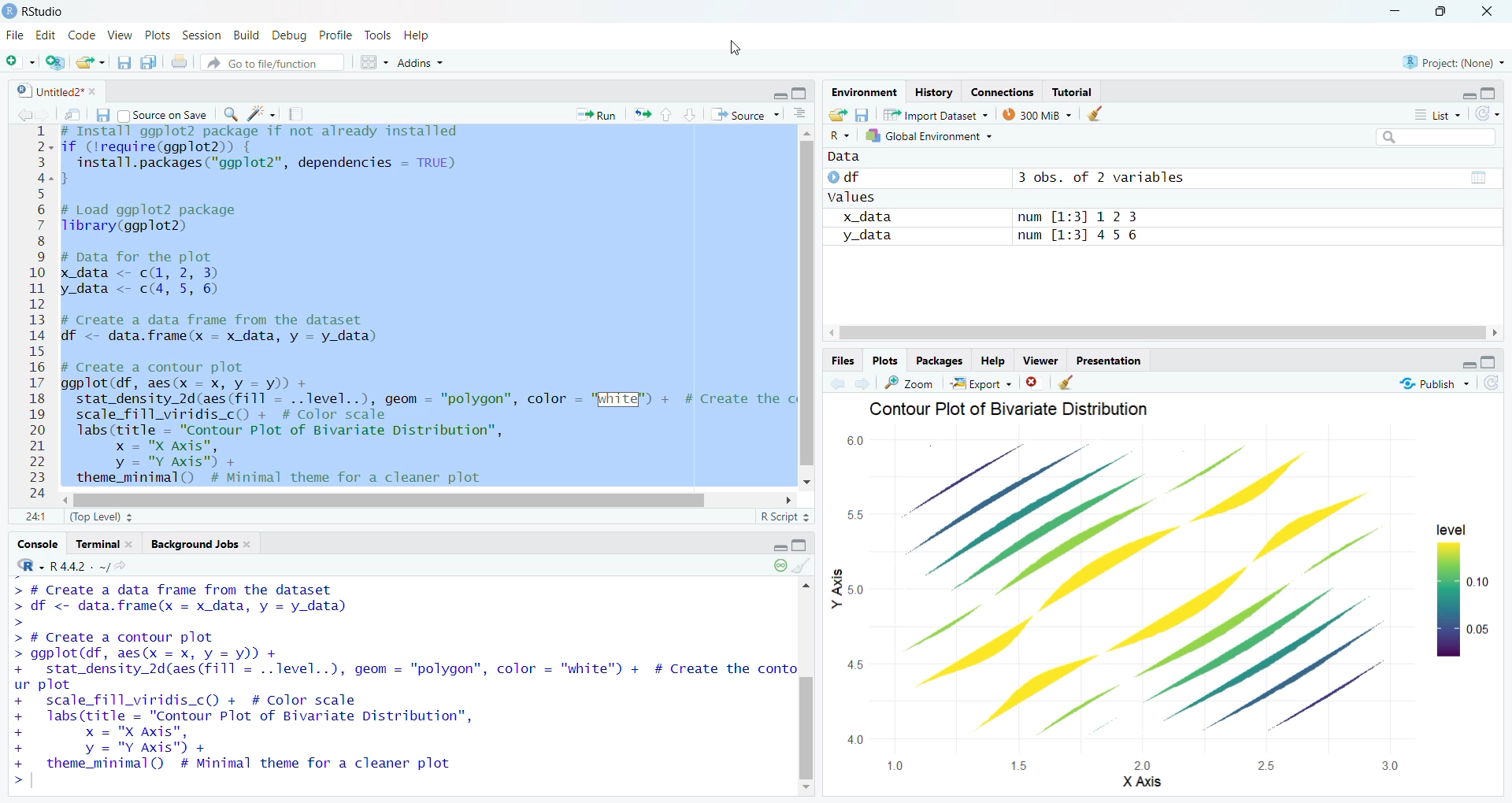  I want to click on minimize, so click(1398, 13).